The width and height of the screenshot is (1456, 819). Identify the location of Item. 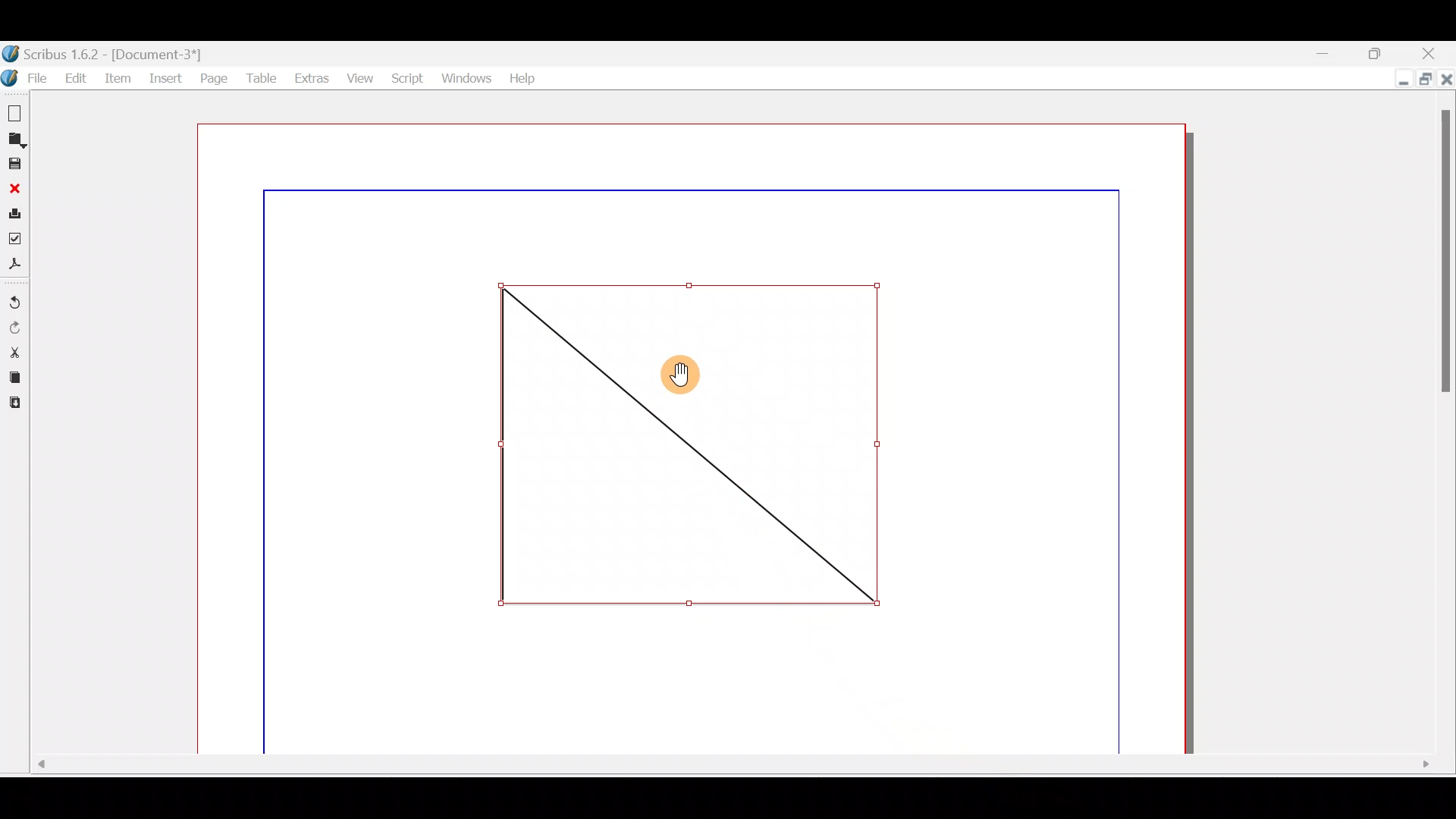
(119, 82).